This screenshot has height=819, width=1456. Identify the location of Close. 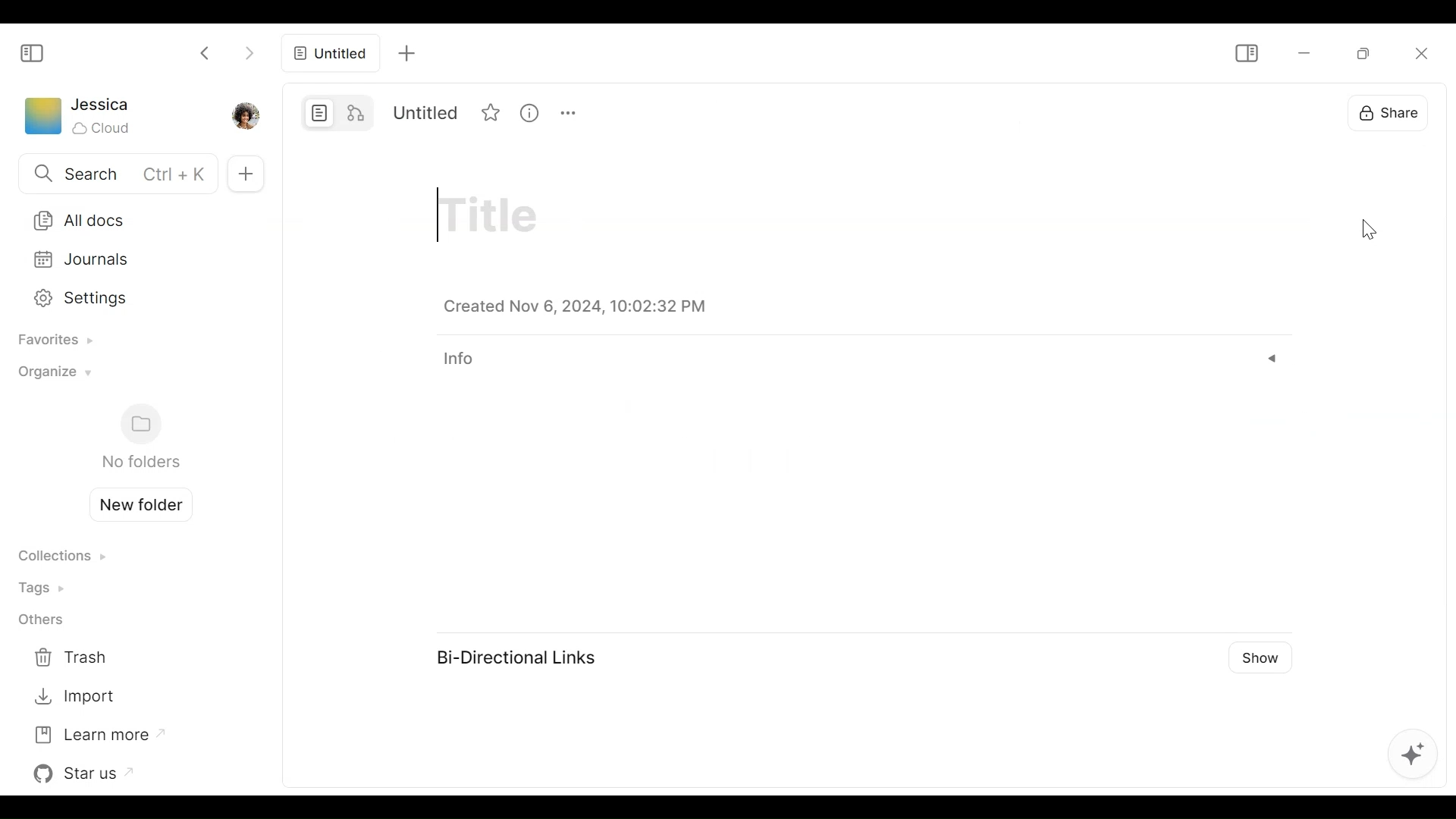
(1419, 53).